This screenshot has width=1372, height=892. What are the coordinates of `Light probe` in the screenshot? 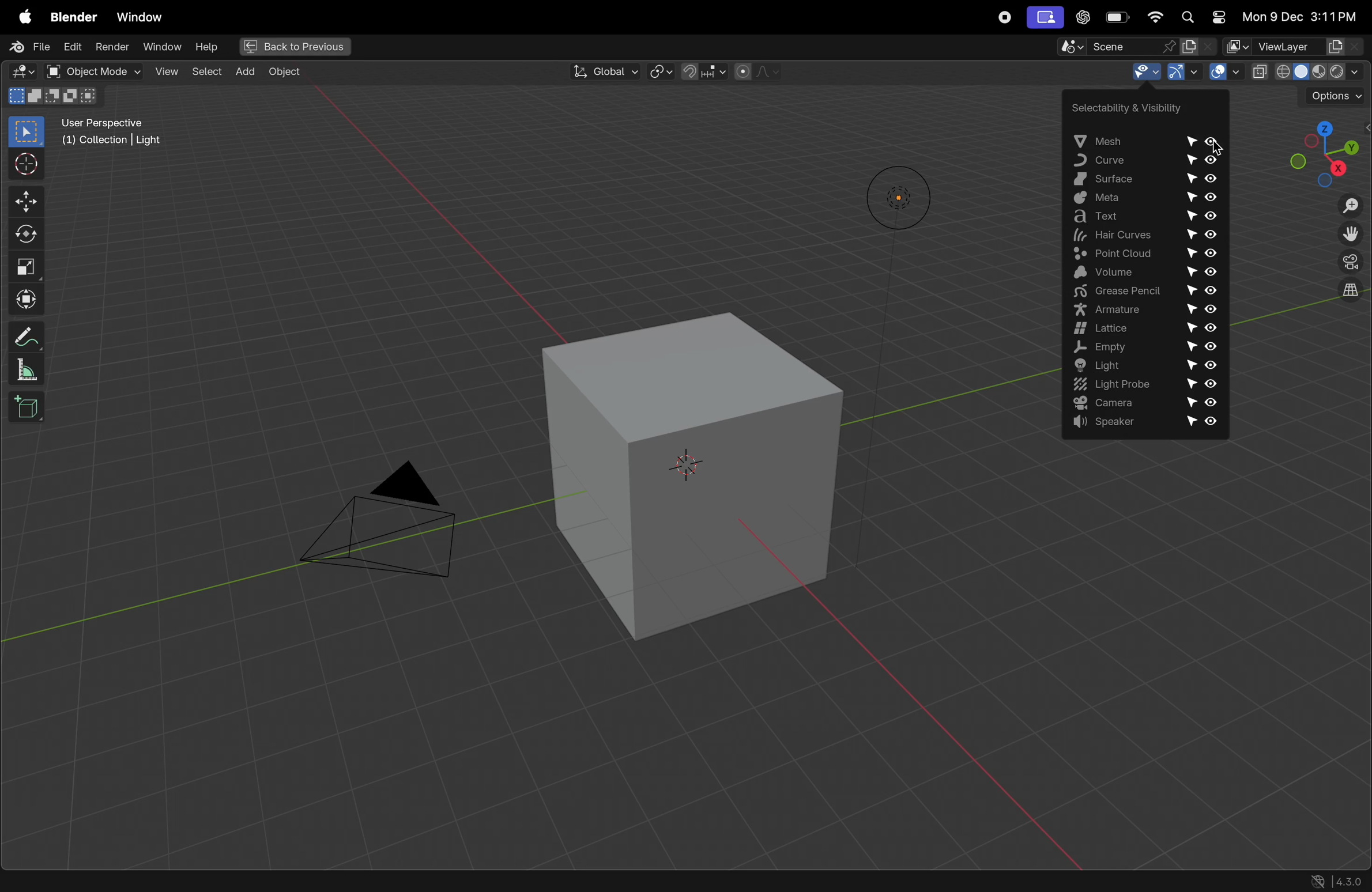 It's located at (1141, 385).